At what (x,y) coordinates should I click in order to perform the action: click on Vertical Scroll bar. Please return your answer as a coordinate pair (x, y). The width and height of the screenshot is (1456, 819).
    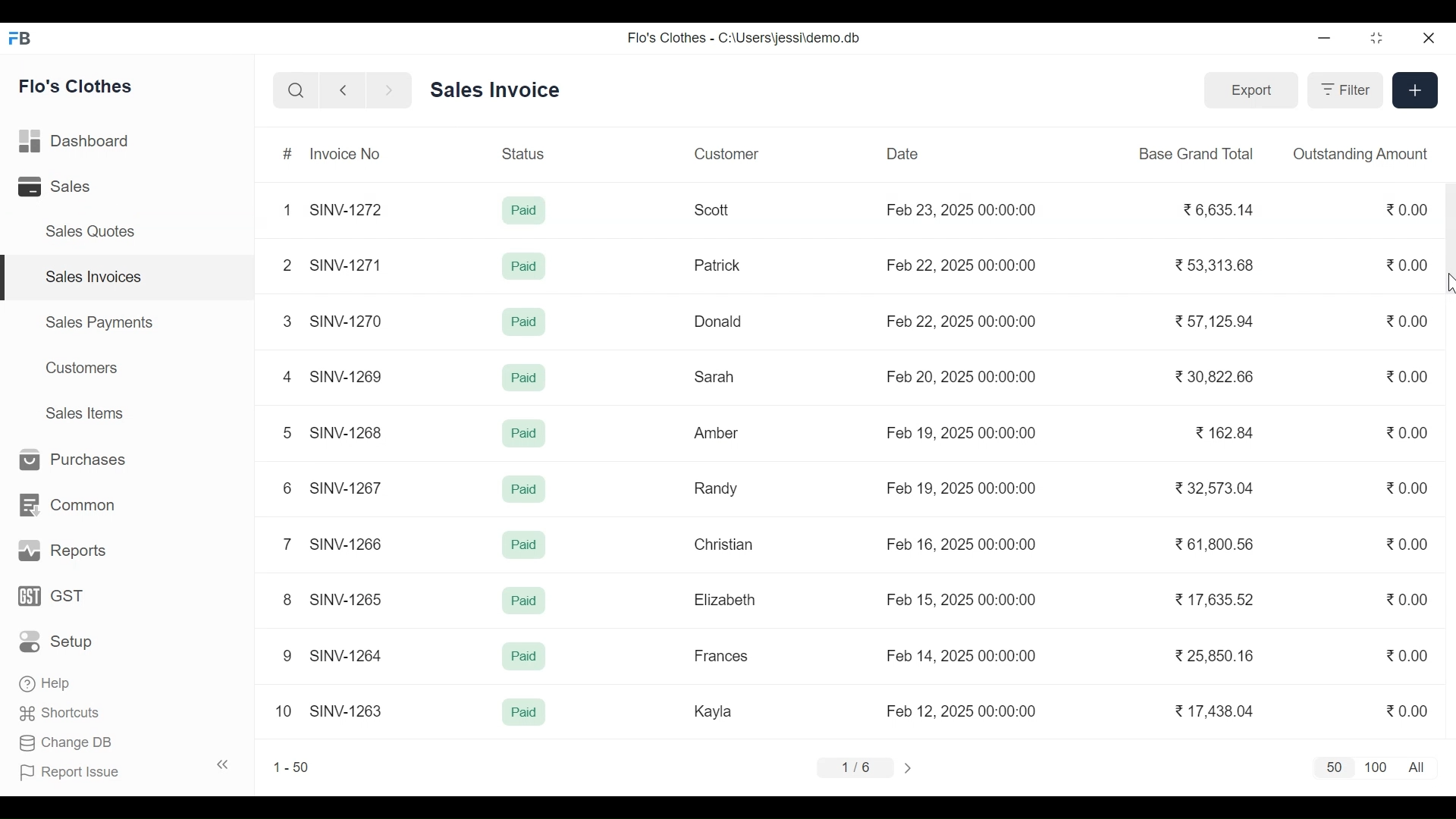
    Looking at the image, I should click on (1447, 240).